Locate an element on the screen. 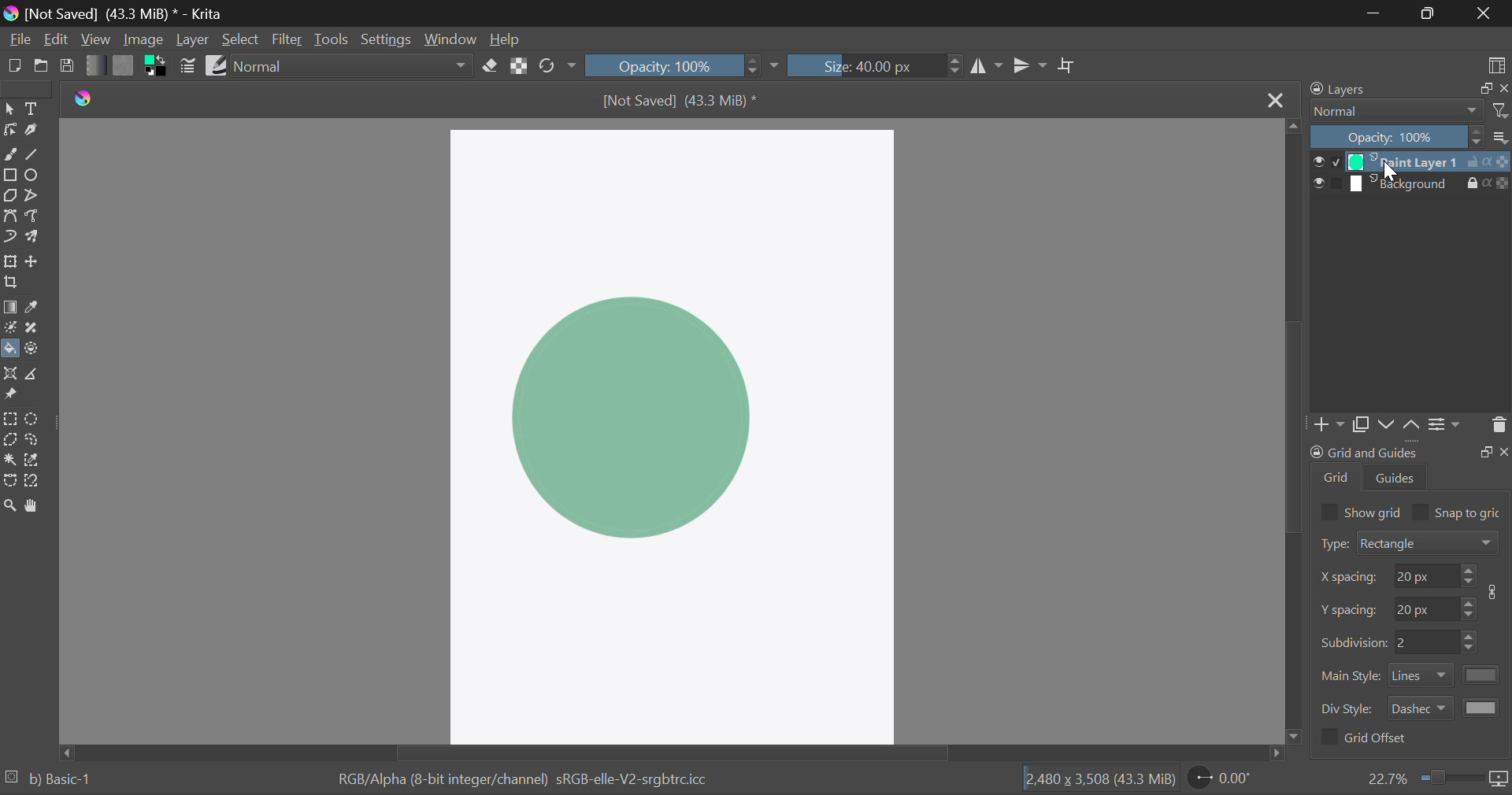  Circular Selection is located at coordinates (33, 418).